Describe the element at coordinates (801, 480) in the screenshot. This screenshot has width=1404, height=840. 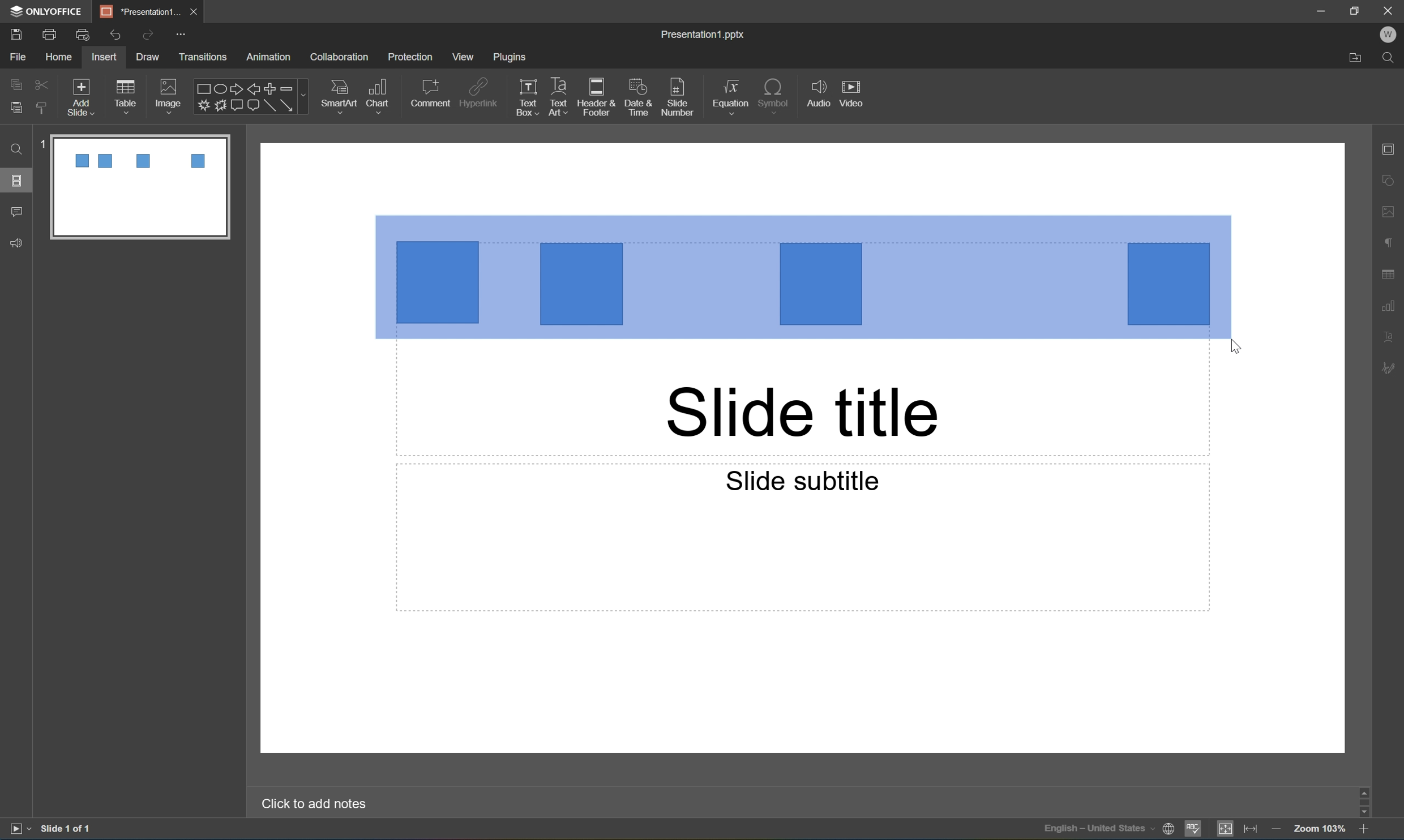
I see `slide subtitle` at that location.